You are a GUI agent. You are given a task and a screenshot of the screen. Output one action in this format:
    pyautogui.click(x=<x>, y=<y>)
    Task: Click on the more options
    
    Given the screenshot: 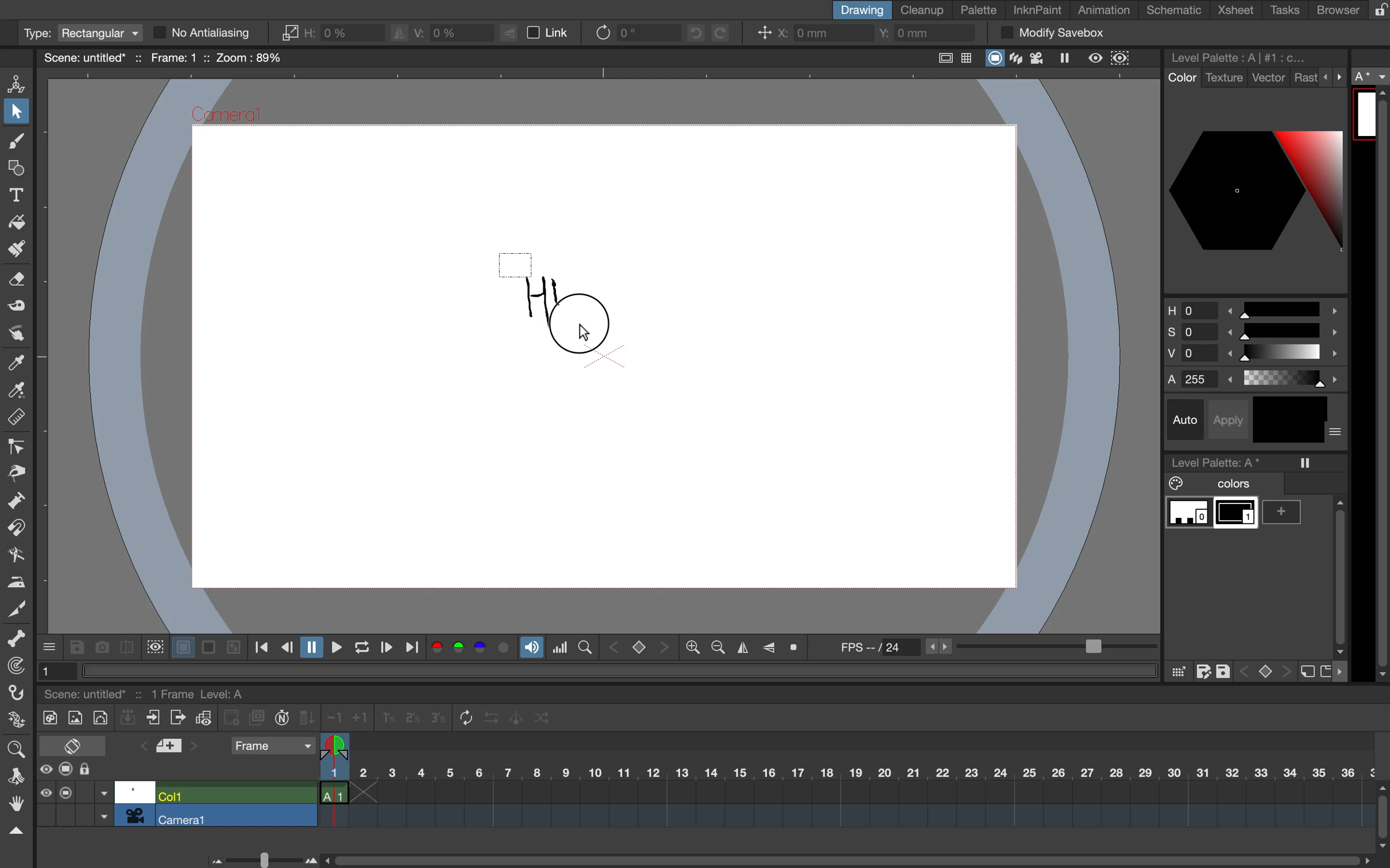 What is the action you would take?
    pyautogui.click(x=1337, y=433)
    